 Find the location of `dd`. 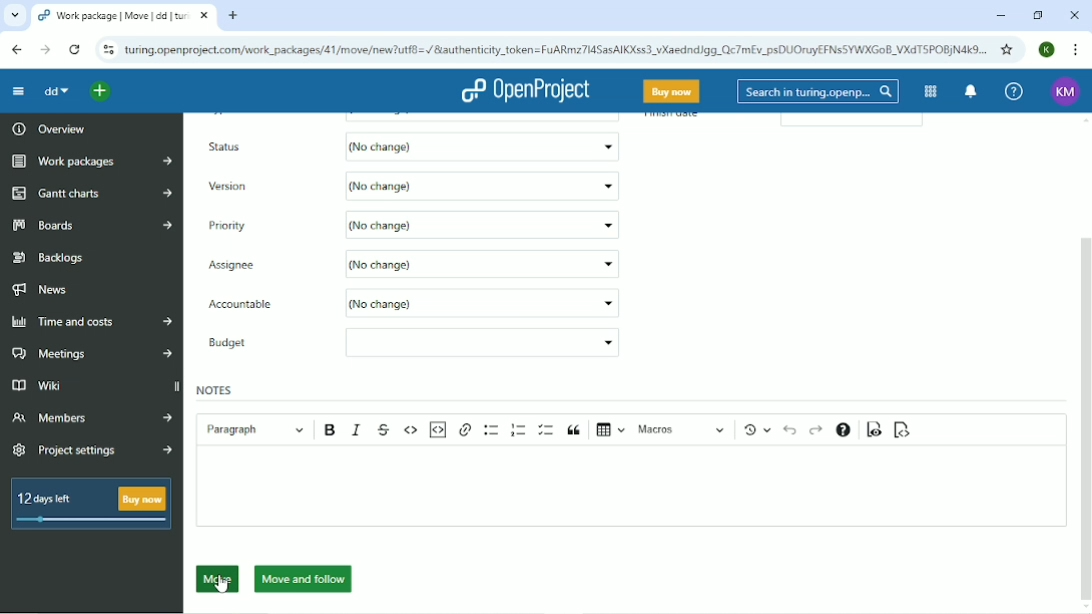

dd is located at coordinates (56, 91).